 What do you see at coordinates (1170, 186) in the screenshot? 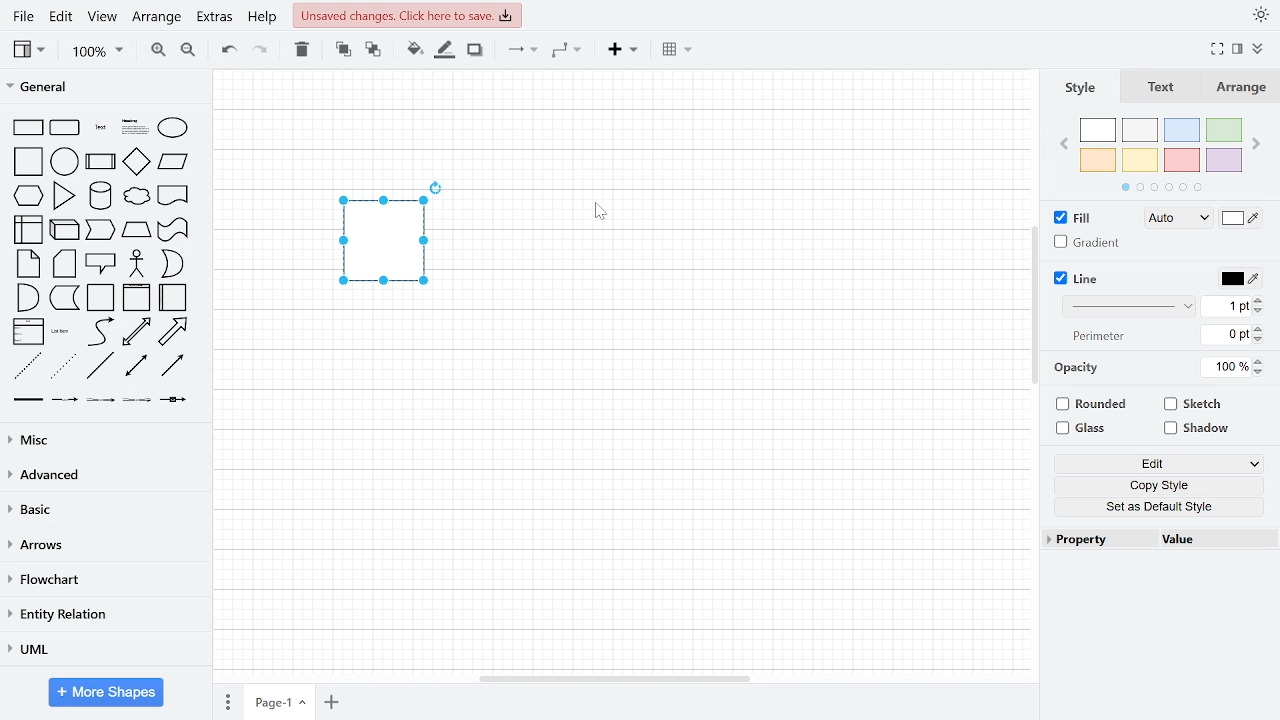
I see `pages in color` at bounding box center [1170, 186].